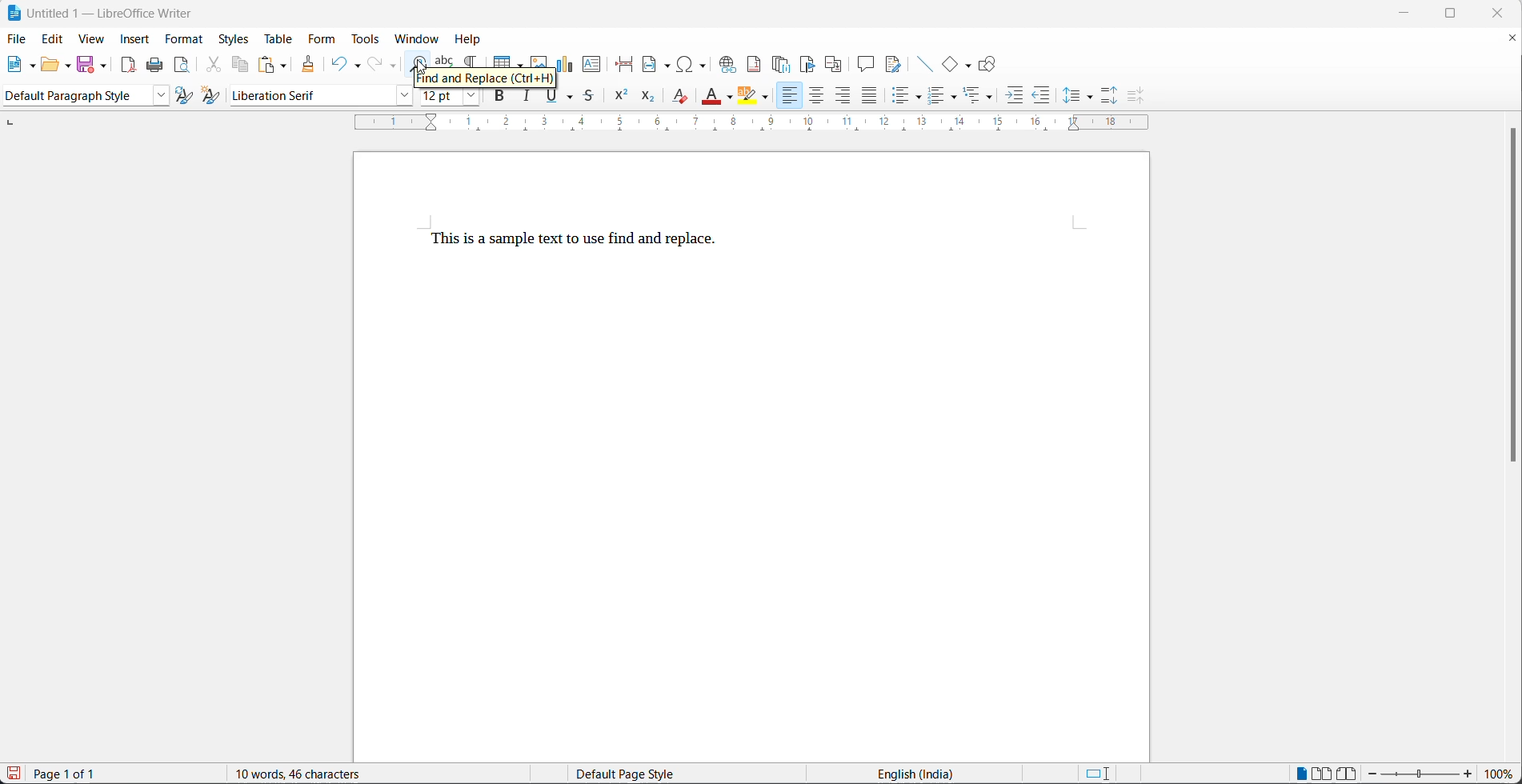  I want to click on hover text, so click(485, 79).